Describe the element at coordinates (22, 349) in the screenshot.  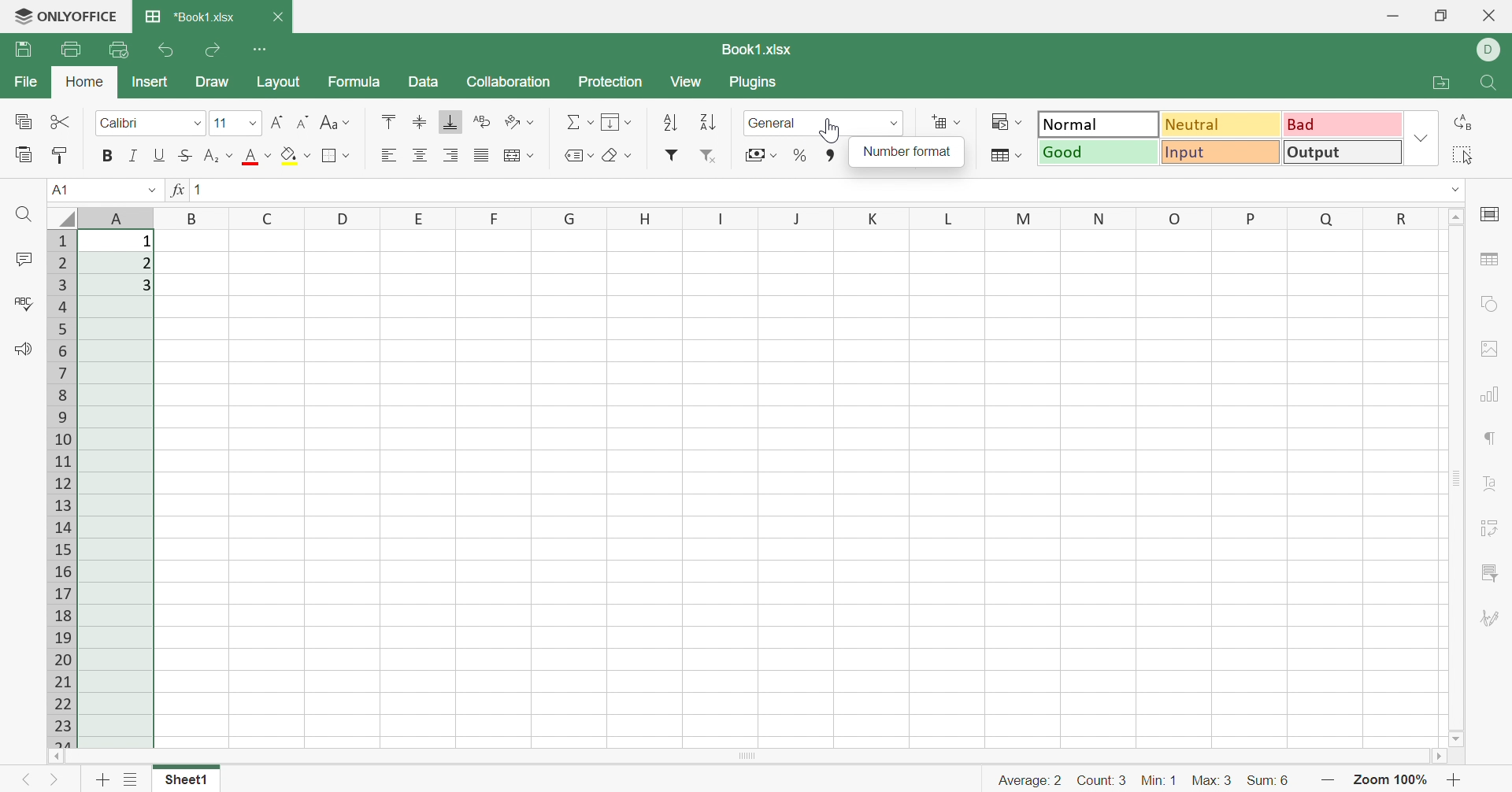
I see `Feedback & Support` at that location.